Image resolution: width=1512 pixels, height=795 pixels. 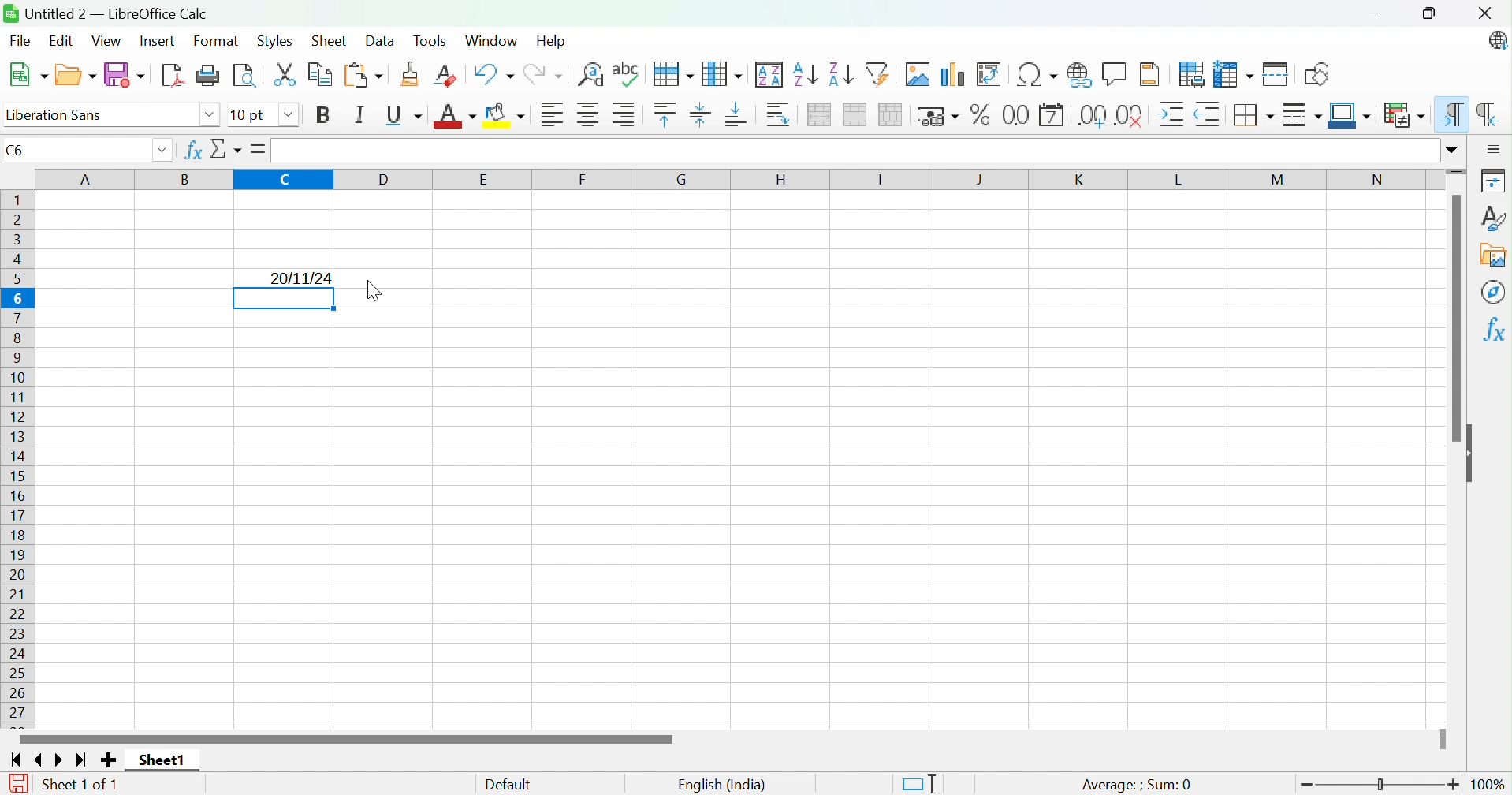 What do you see at coordinates (434, 41) in the screenshot?
I see `Tools` at bounding box center [434, 41].